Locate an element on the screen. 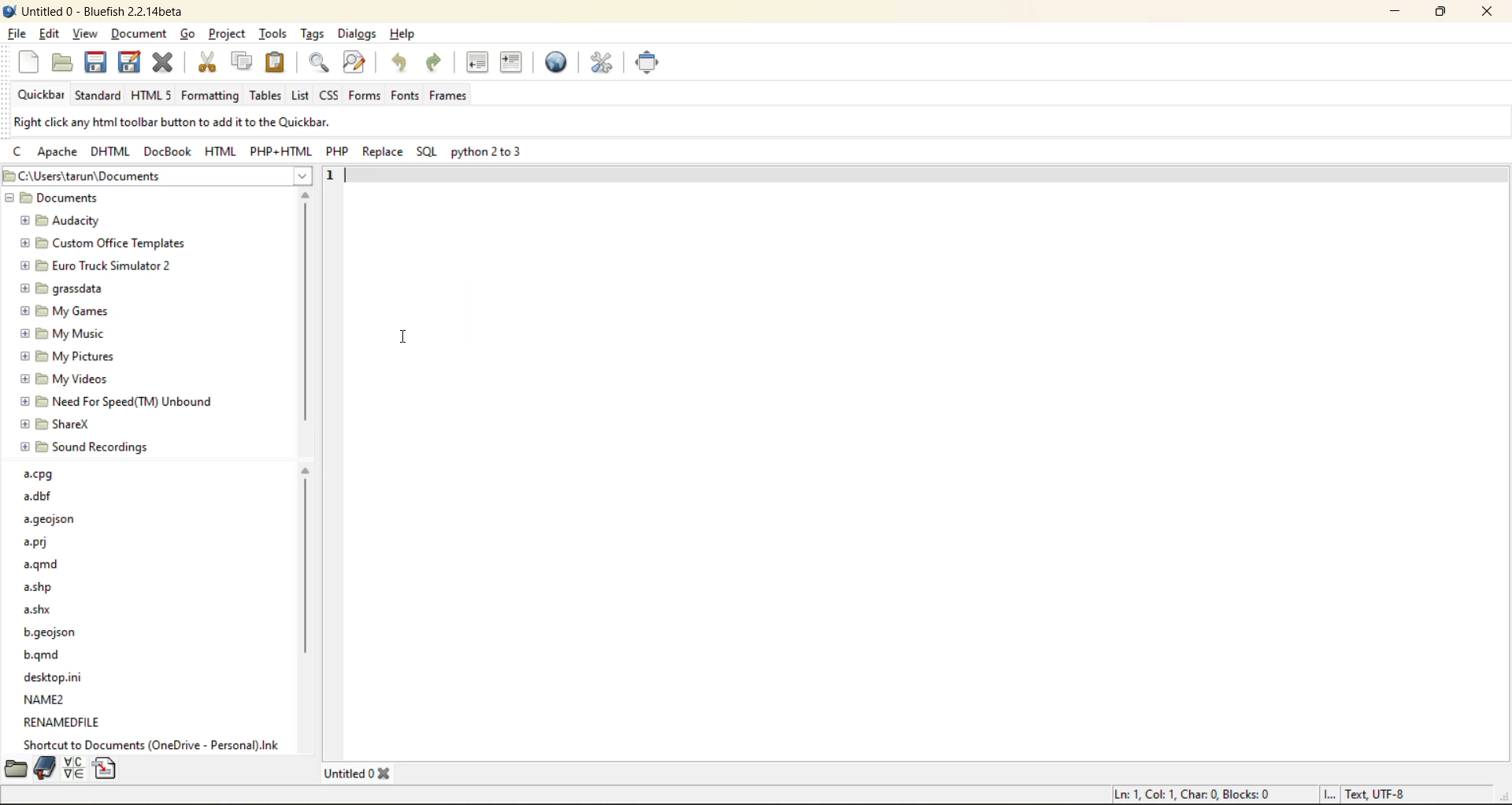  sql is located at coordinates (428, 150).